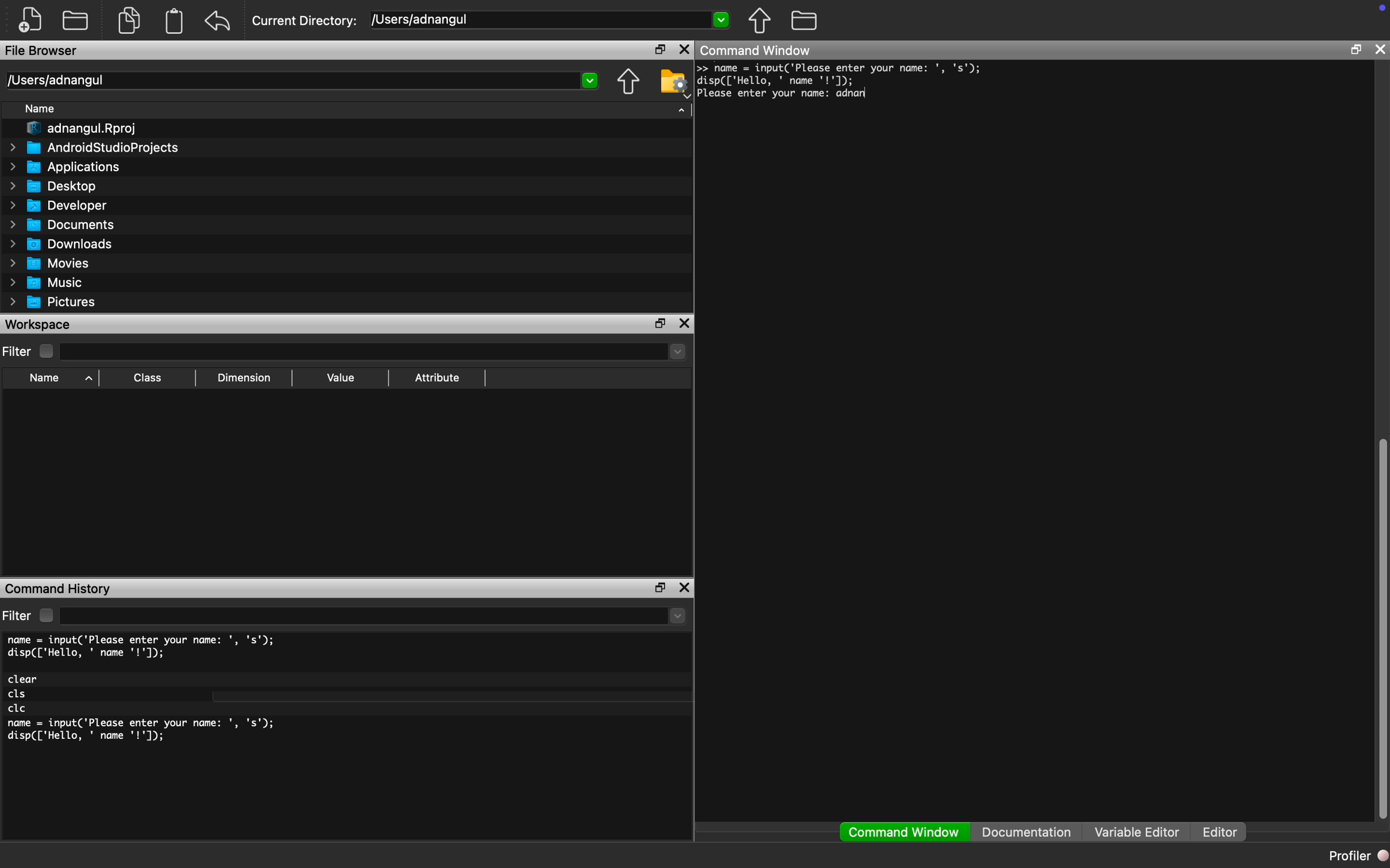  Describe the element at coordinates (341, 377) in the screenshot. I see `Value` at that location.